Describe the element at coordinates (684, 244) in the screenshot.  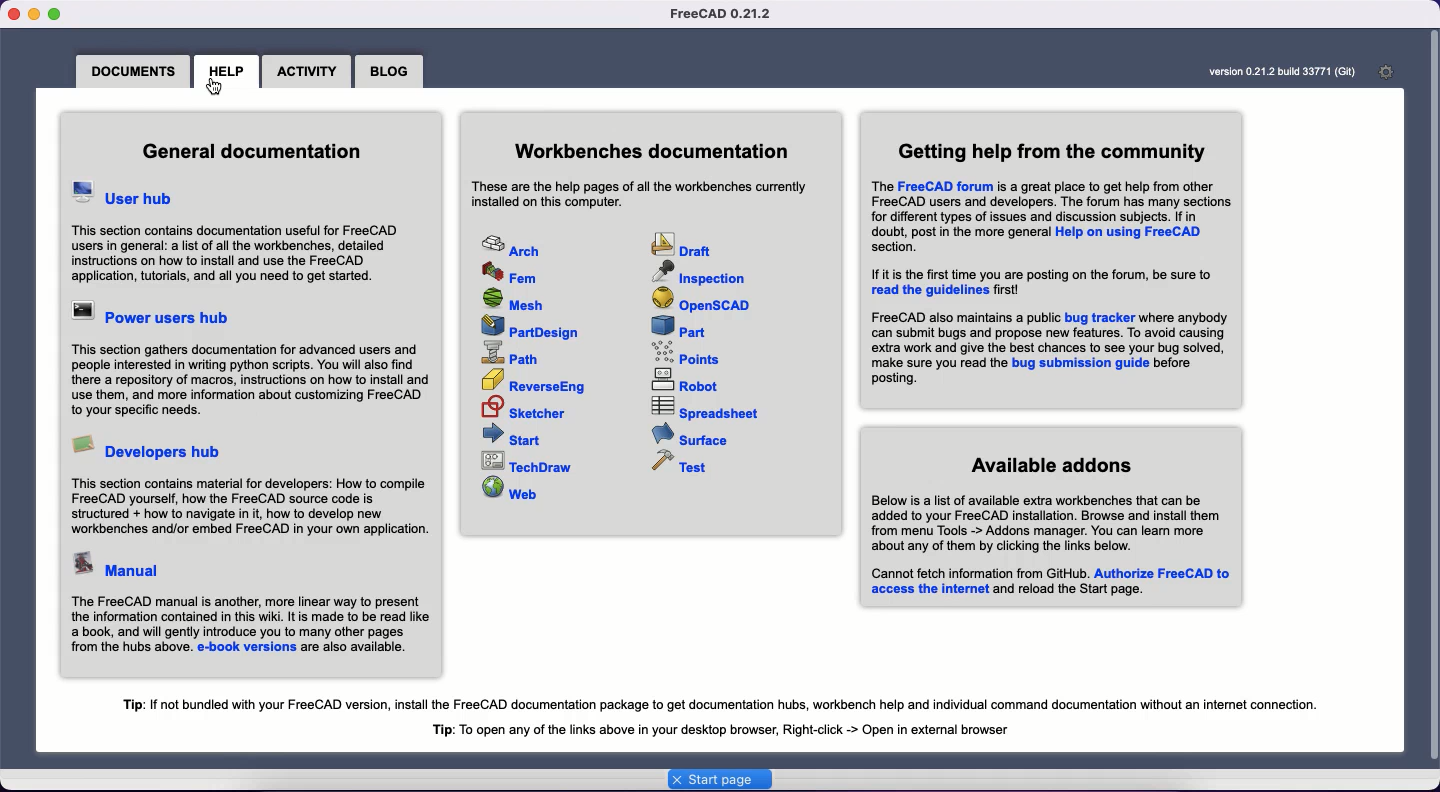
I see `Draft` at that location.